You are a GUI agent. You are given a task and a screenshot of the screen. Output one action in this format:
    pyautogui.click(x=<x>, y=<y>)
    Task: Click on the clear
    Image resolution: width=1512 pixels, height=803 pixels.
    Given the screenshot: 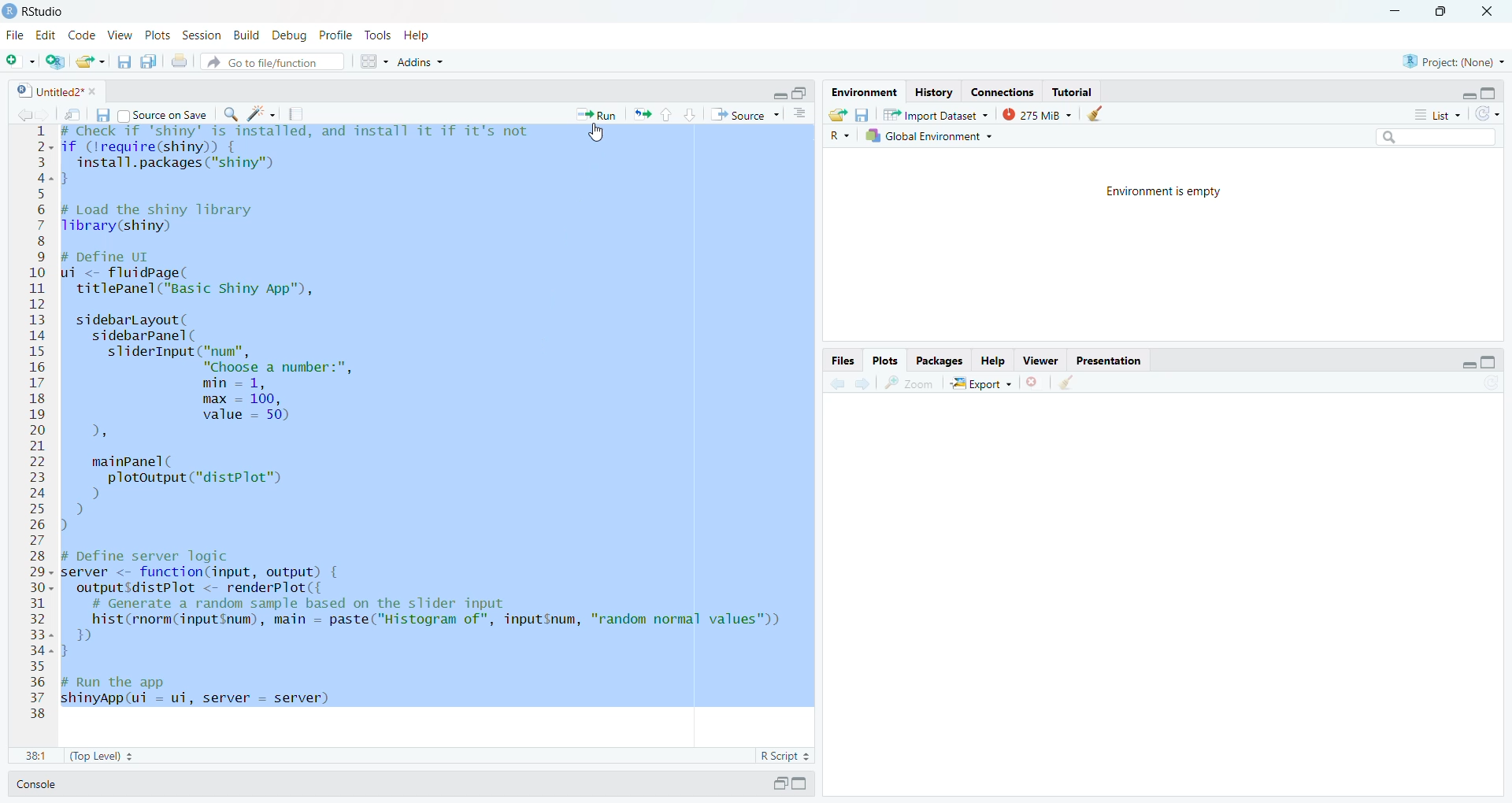 What is the action you would take?
    pyautogui.click(x=1094, y=113)
    